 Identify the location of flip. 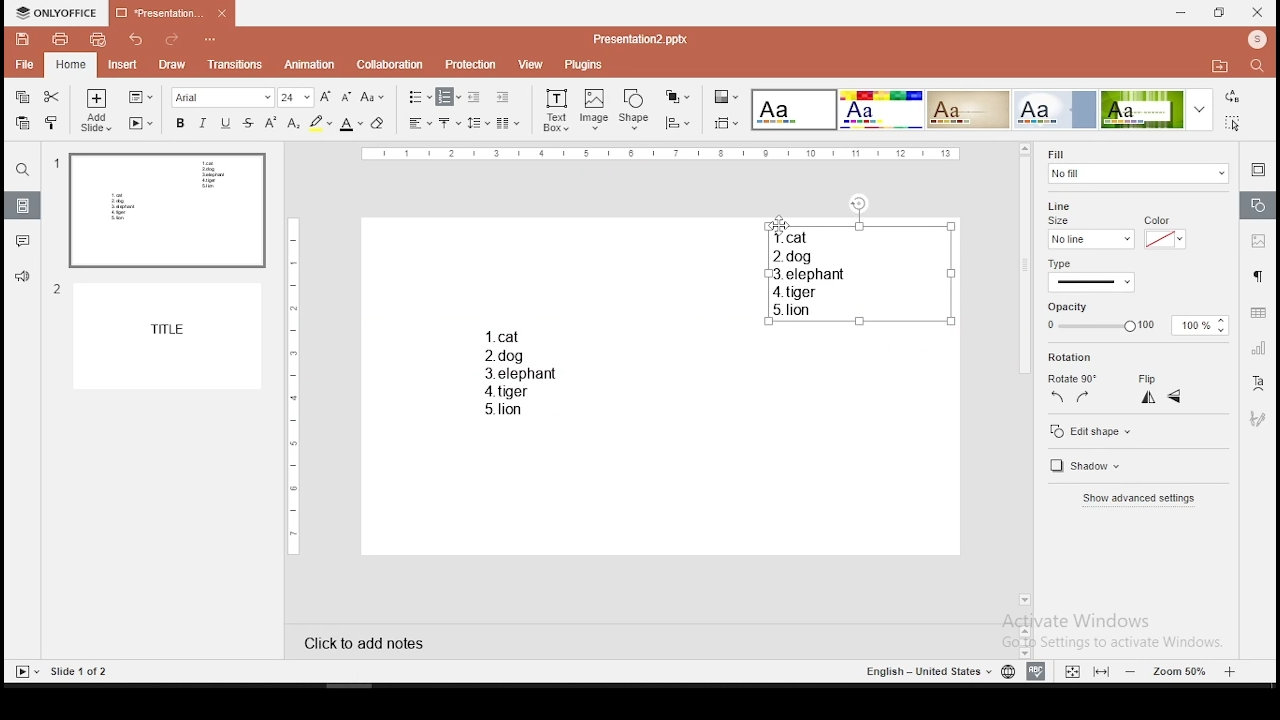
(1150, 375).